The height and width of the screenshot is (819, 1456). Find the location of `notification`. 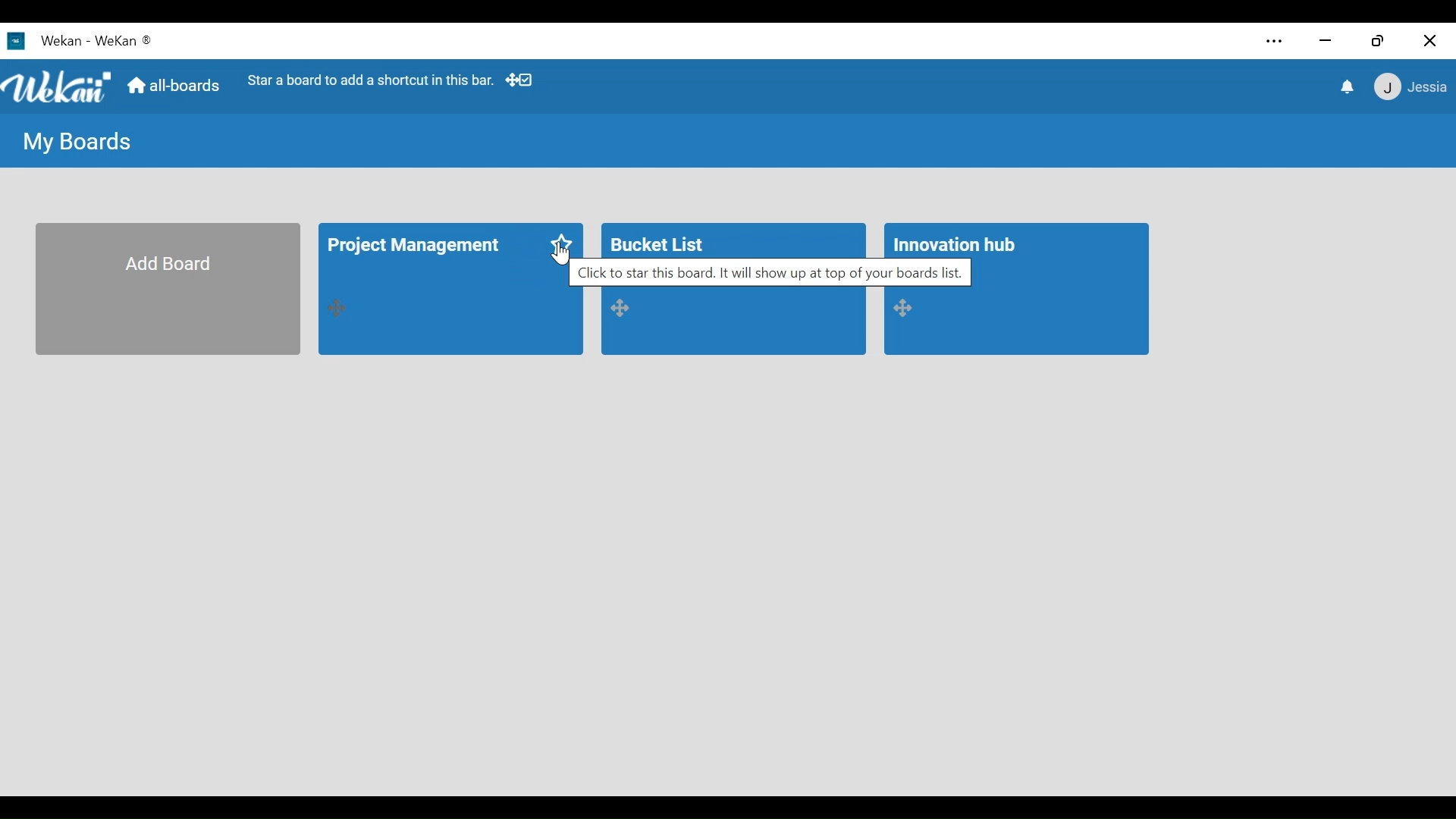

notification is located at coordinates (1345, 86).